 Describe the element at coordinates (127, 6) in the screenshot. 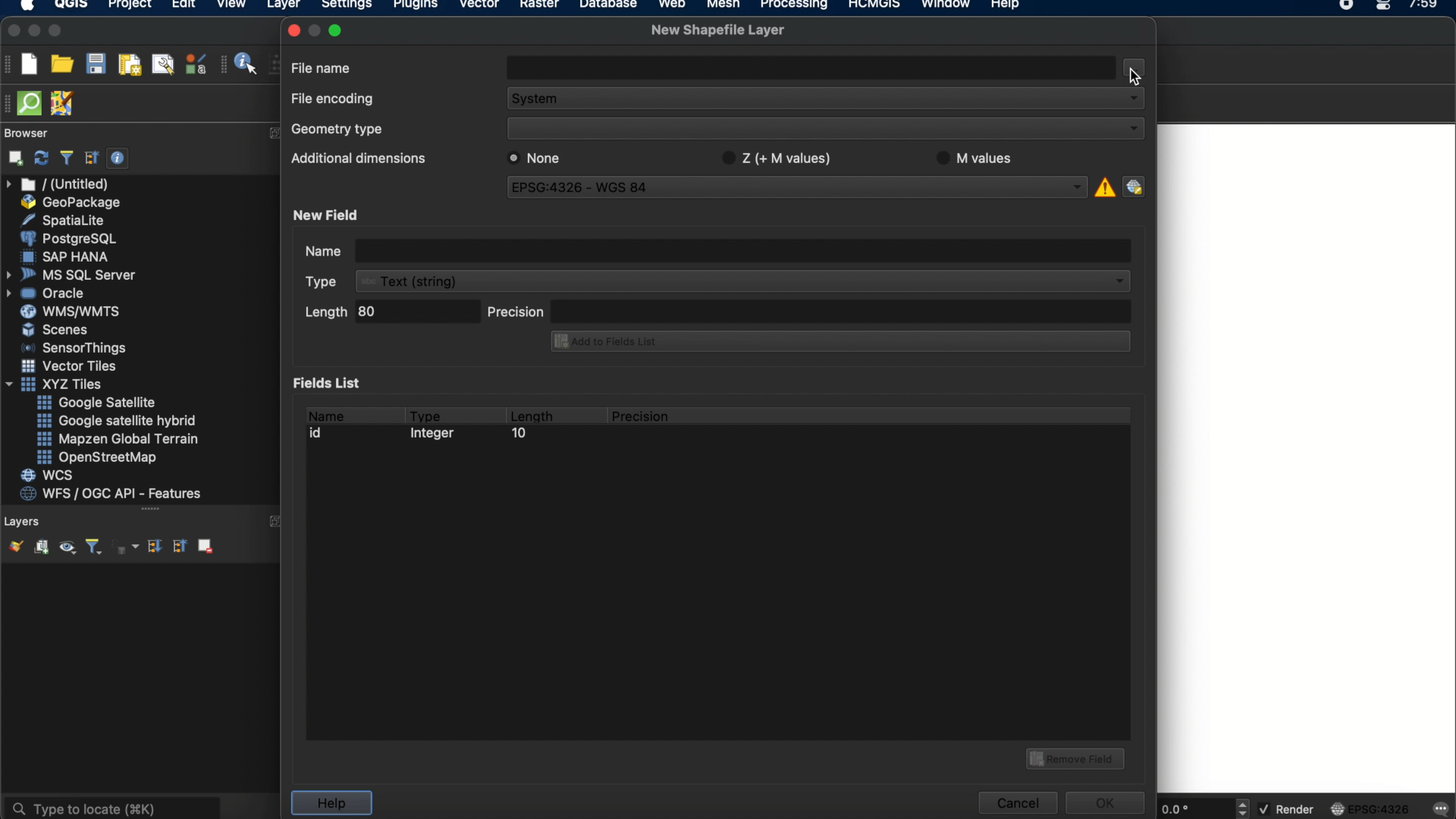

I see `project` at that location.